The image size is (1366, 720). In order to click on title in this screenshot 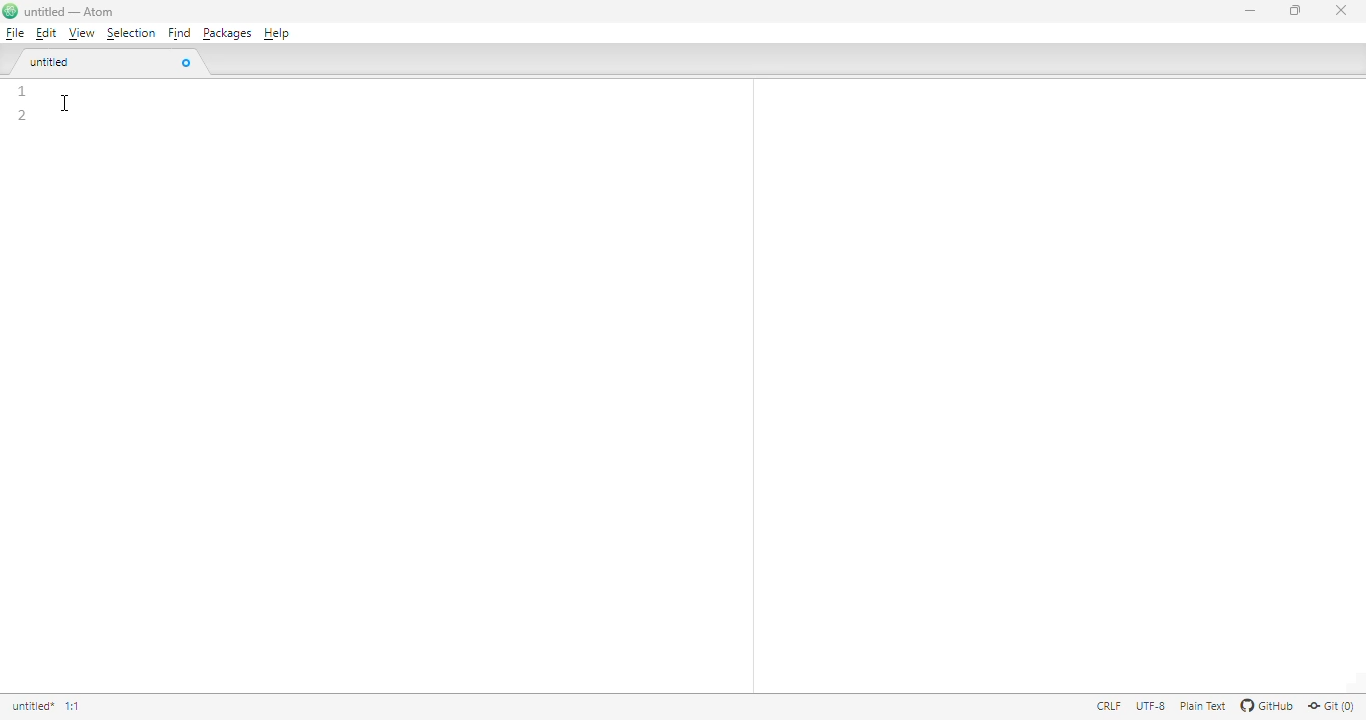, I will do `click(70, 12)`.